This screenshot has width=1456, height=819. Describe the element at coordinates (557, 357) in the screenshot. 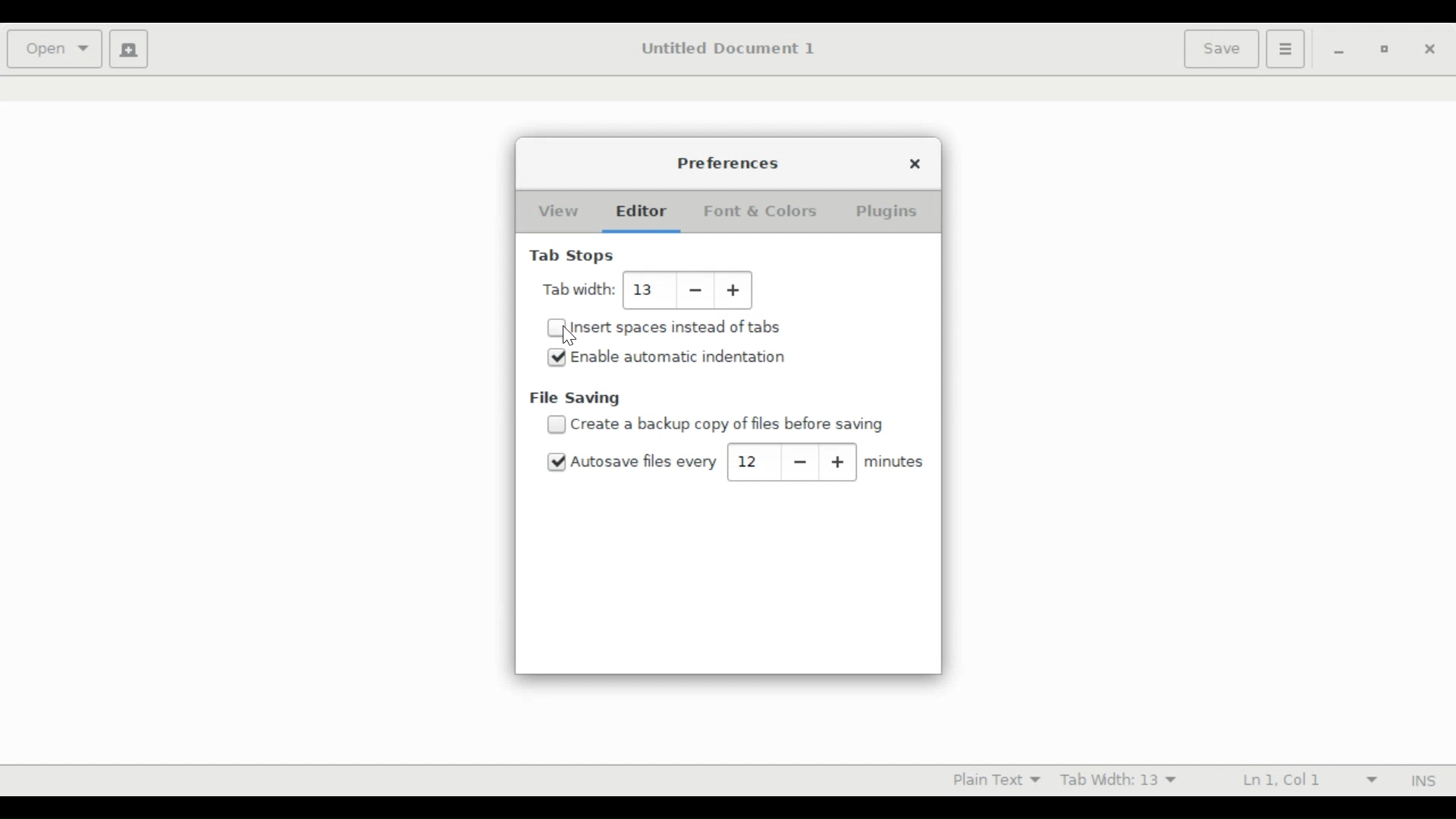

I see `Selected` at that location.